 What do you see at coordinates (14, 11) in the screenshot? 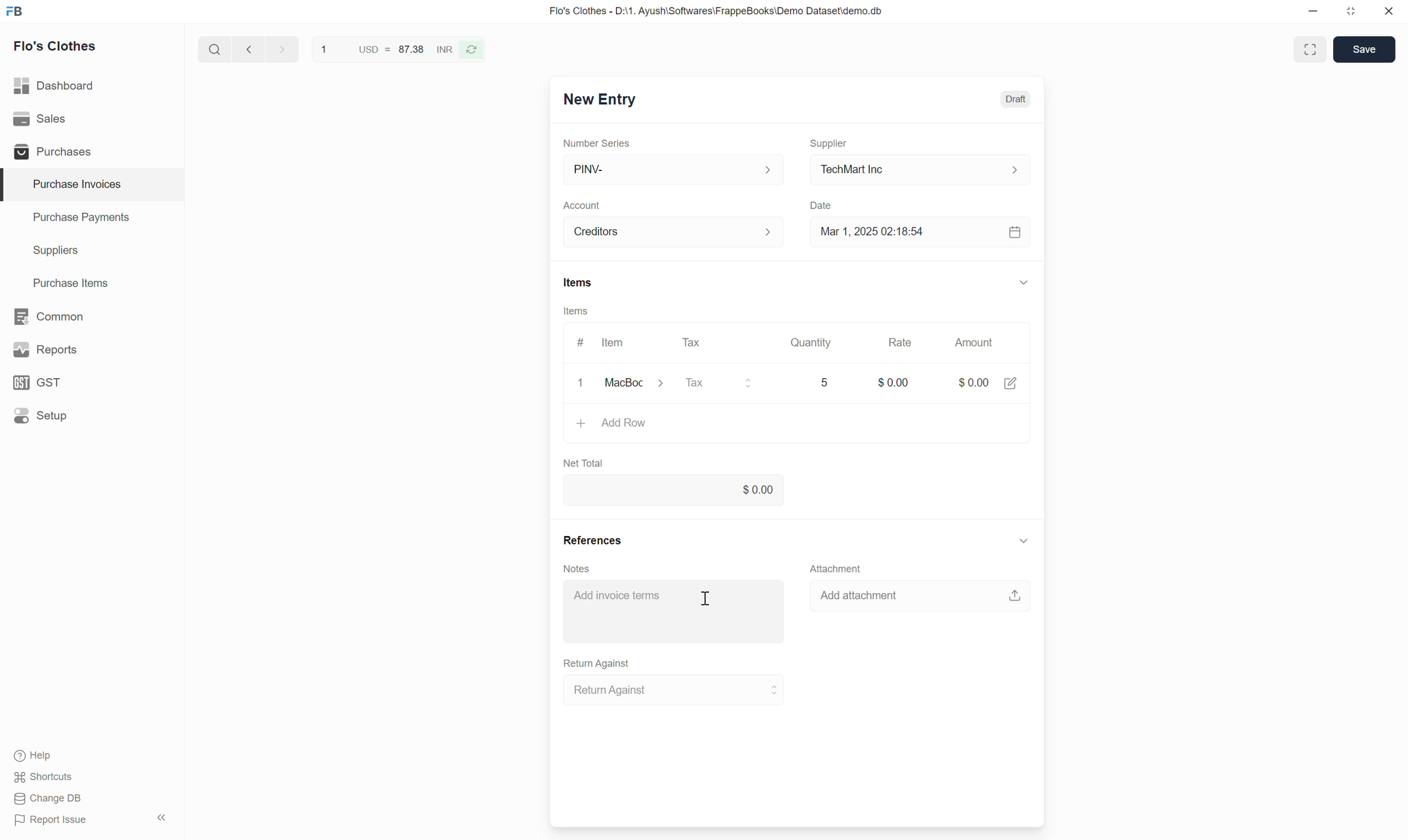
I see `Frappe Books logo` at bounding box center [14, 11].